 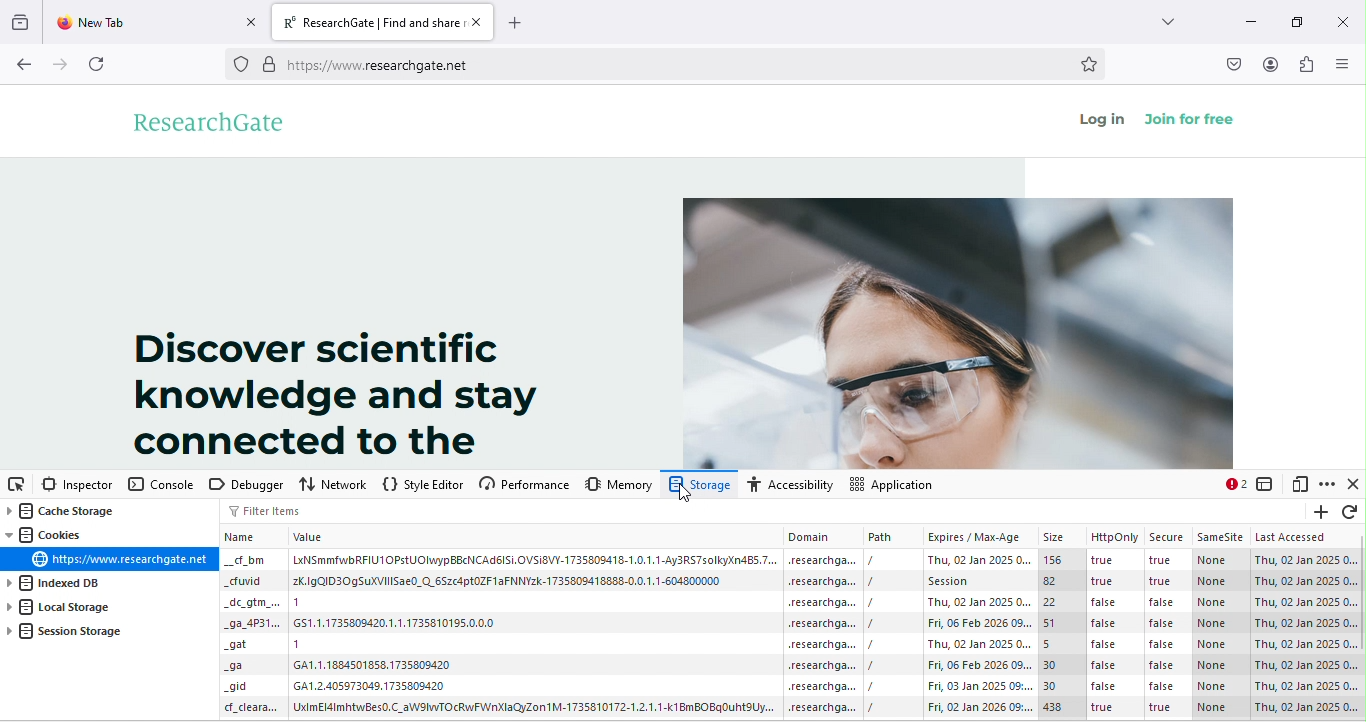 I want to click on , so click(x=250, y=624).